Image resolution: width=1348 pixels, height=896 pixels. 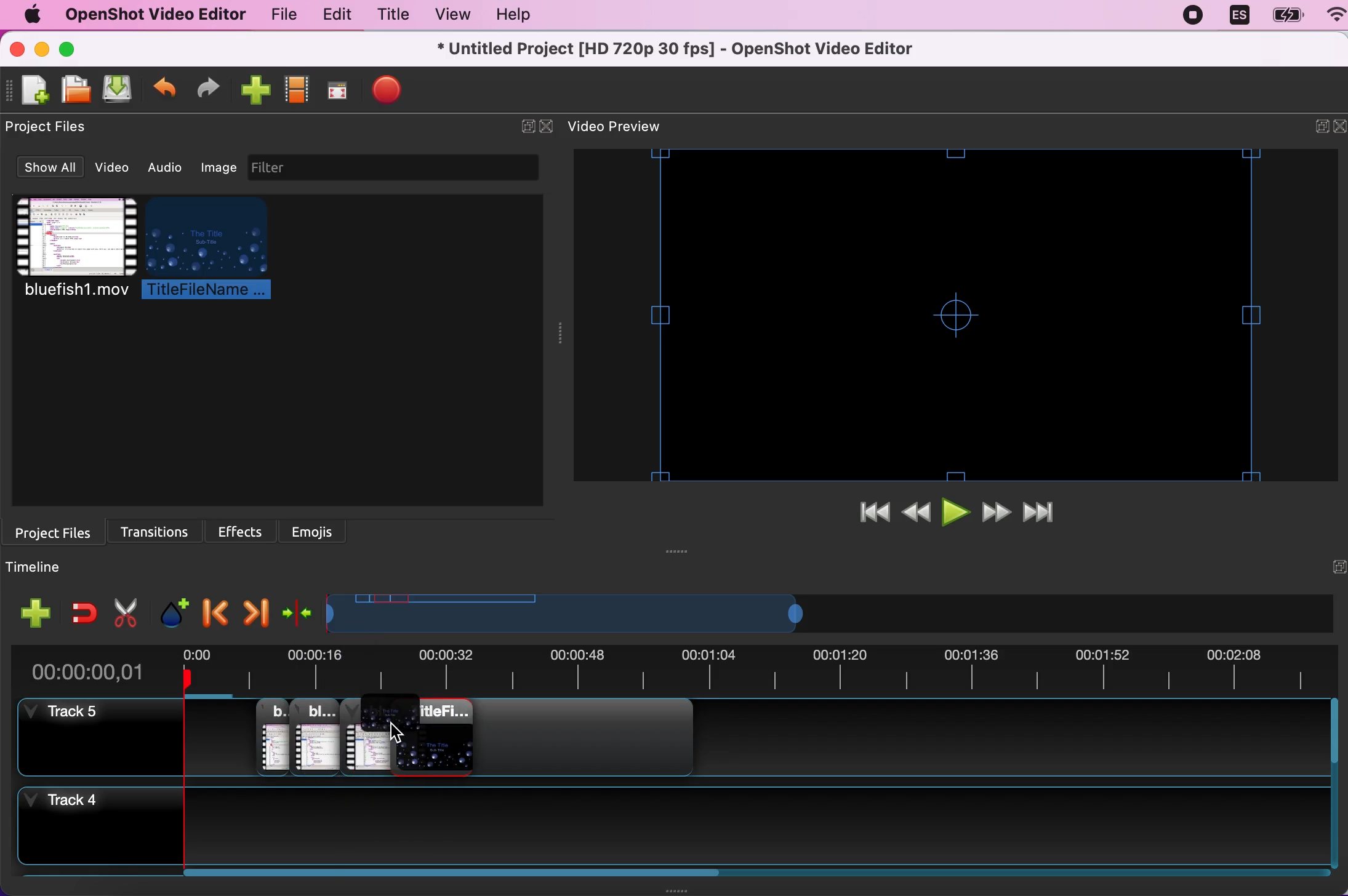 I want to click on center the timeline, so click(x=299, y=611).